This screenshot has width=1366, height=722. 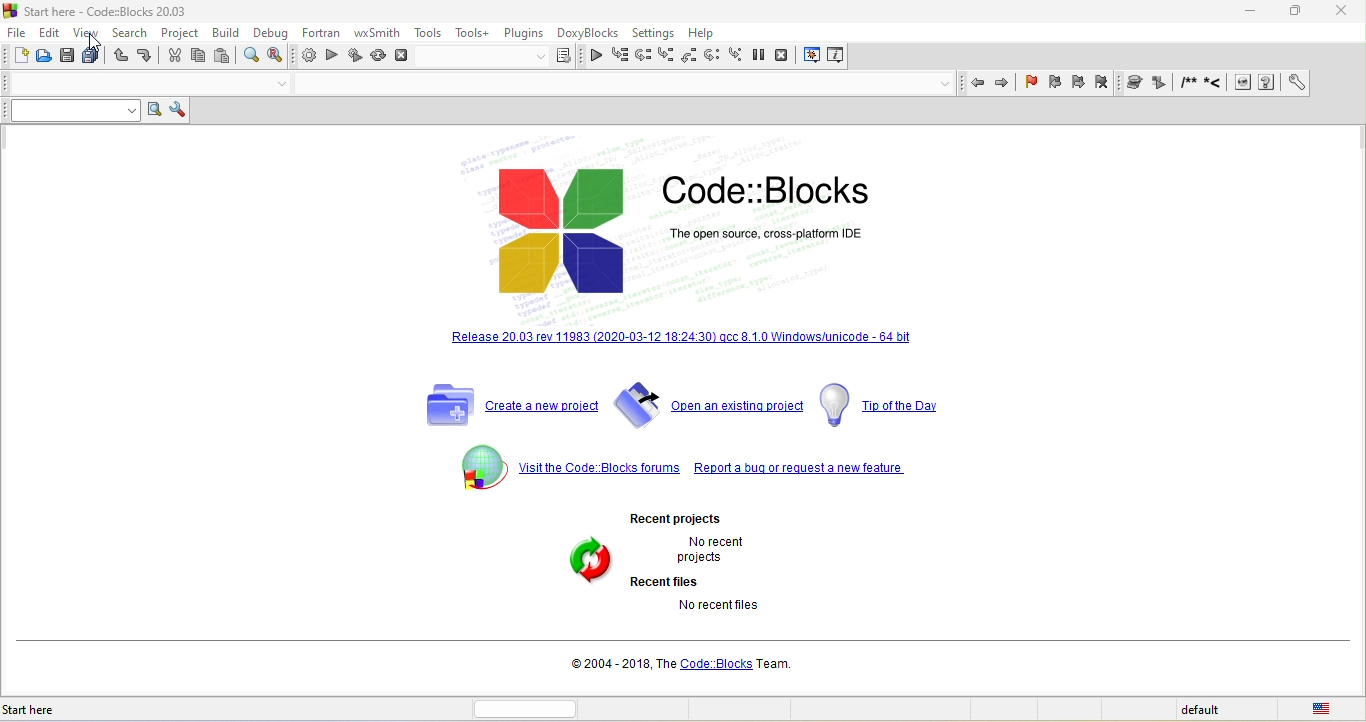 What do you see at coordinates (503, 405) in the screenshot?
I see `create a new project` at bounding box center [503, 405].